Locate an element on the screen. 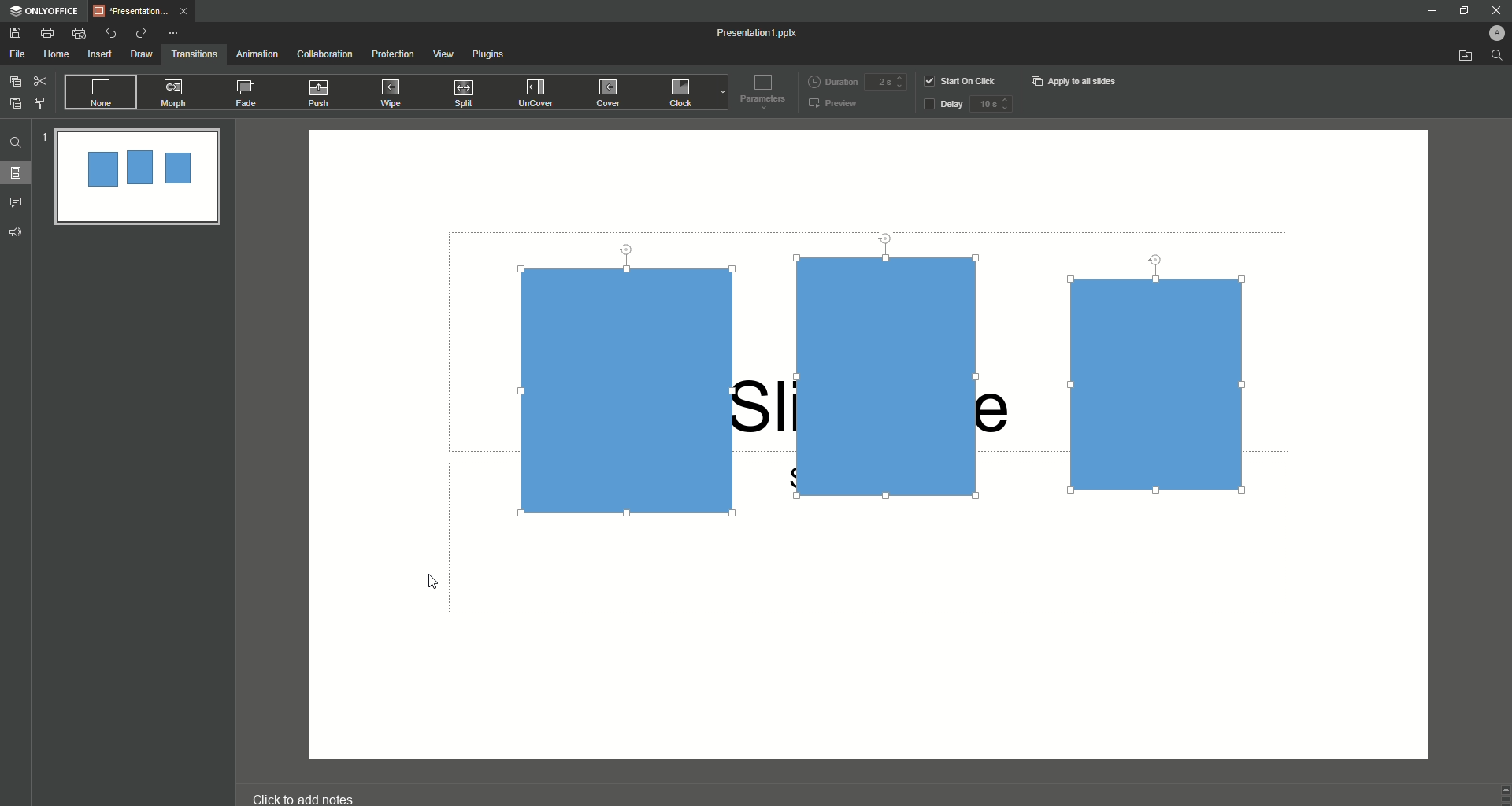  Feedback is located at coordinates (17, 232).